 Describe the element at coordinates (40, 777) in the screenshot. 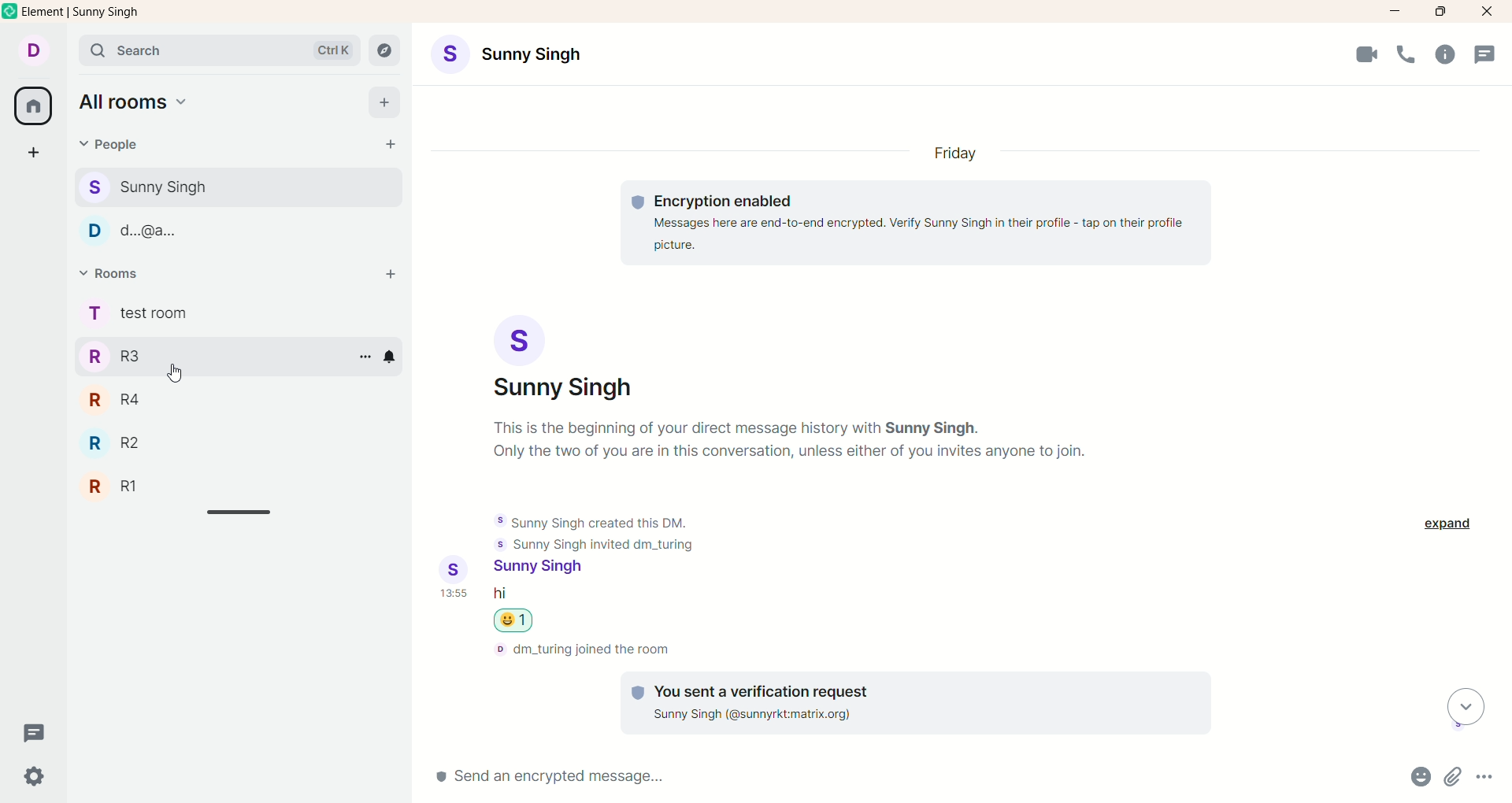

I see `settings` at that location.